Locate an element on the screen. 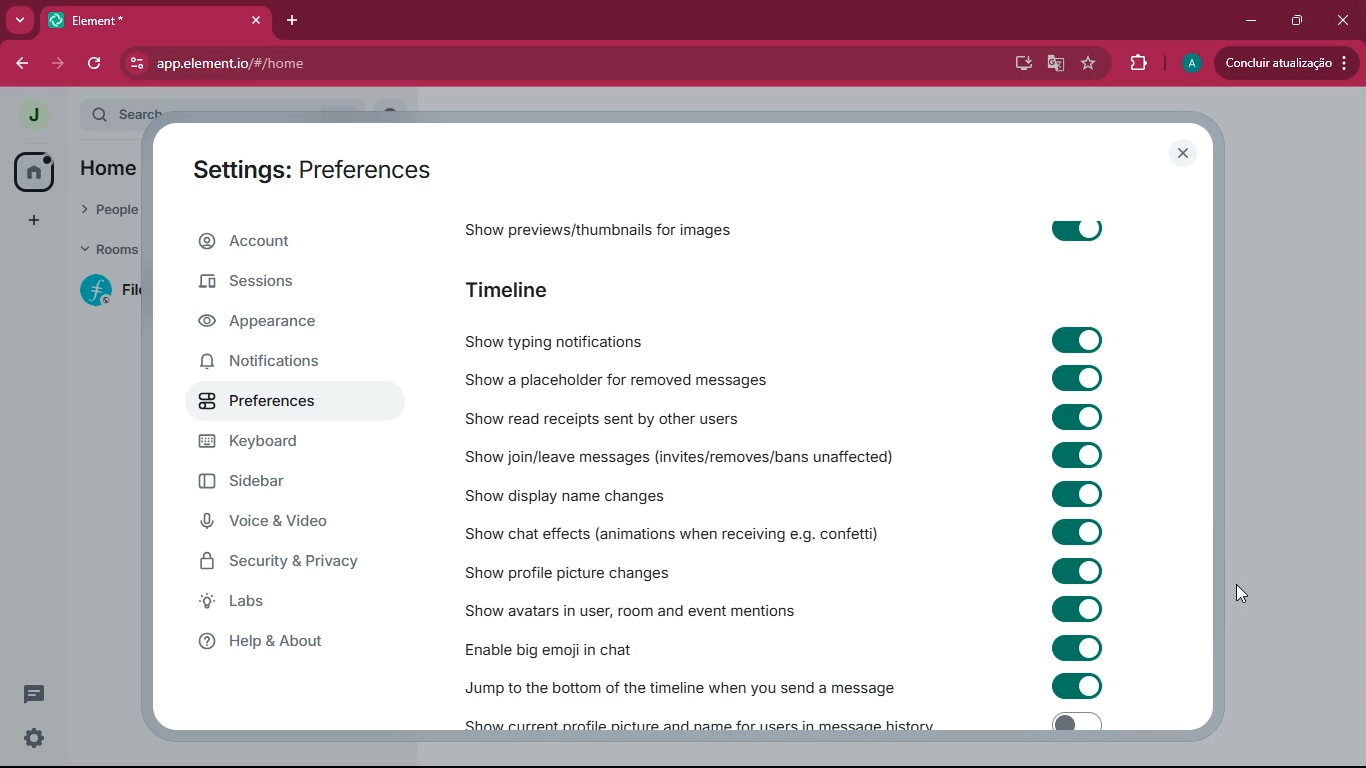 Image resolution: width=1366 pixels, height=768 pixels. show previews/thumbnails for images is located at coordinates (621, 233).